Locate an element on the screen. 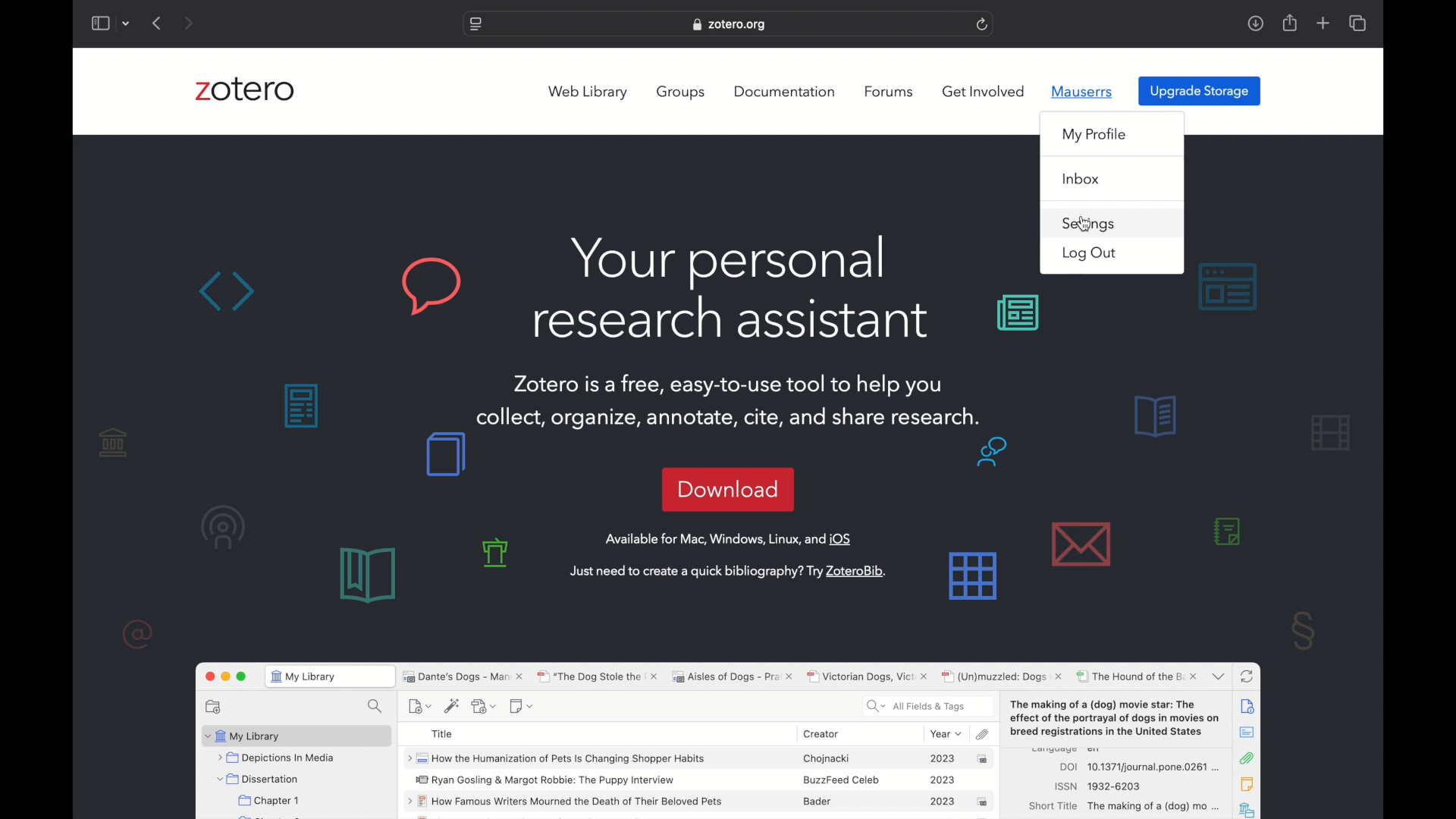 This screenshot has height=819, width=1456. add is located at coordinates (1323, 23).